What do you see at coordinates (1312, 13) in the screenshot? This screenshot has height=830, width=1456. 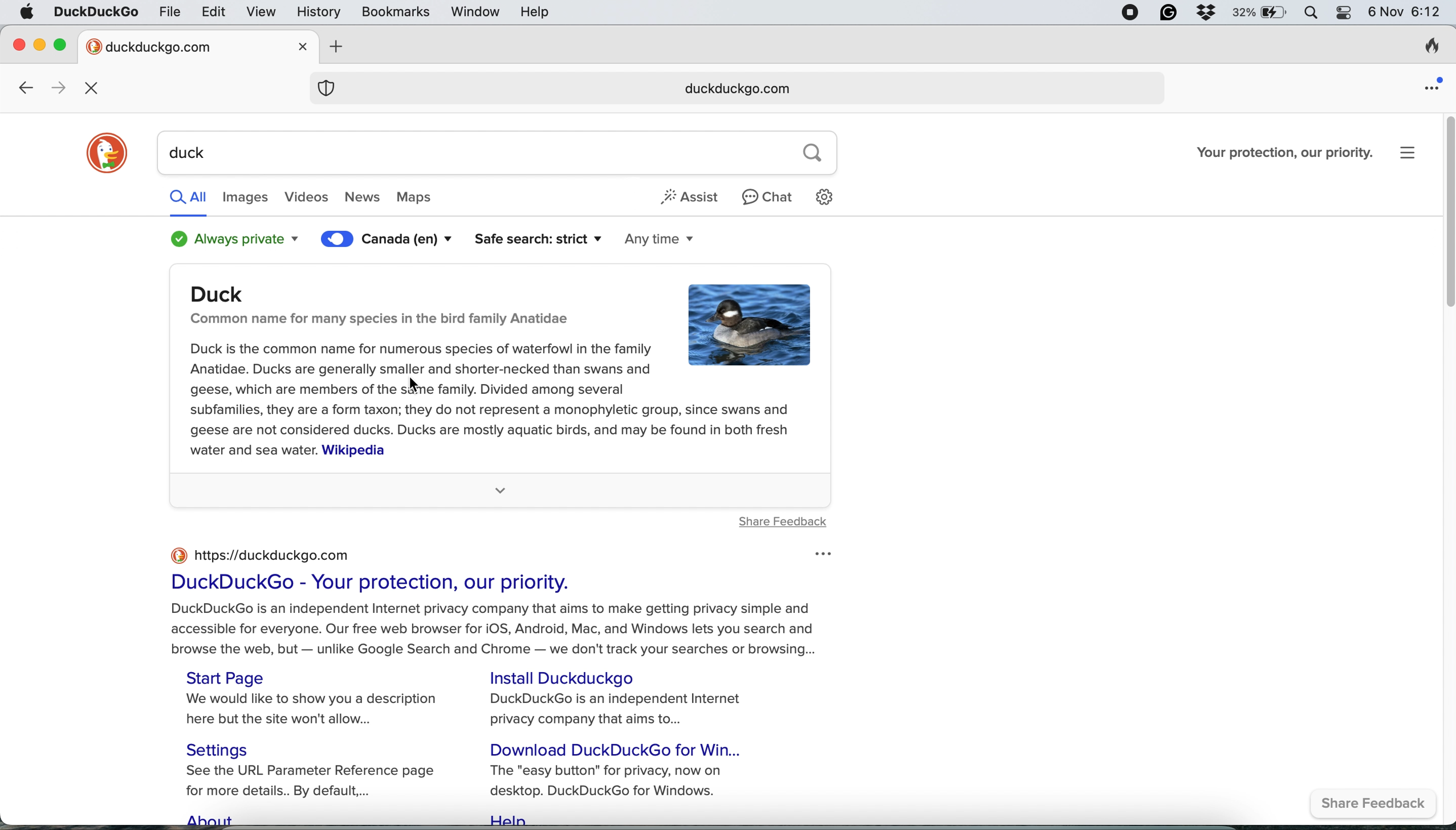 I see `spotlight search` at bounding box center [1312, 13].